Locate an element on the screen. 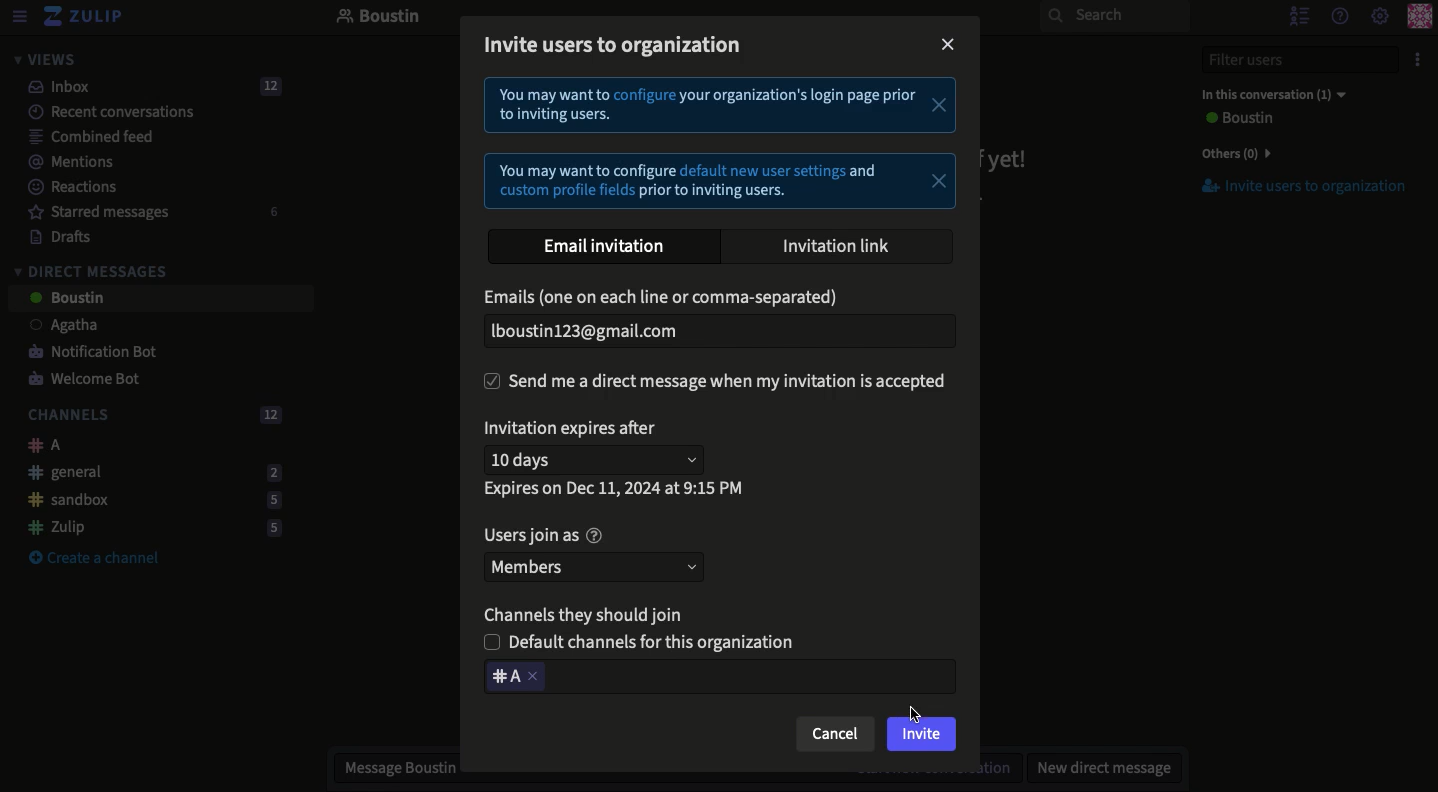 Image resolution: width=1438 pixels, height=792 pixels. New DM is located at coordinates (1099, 767).